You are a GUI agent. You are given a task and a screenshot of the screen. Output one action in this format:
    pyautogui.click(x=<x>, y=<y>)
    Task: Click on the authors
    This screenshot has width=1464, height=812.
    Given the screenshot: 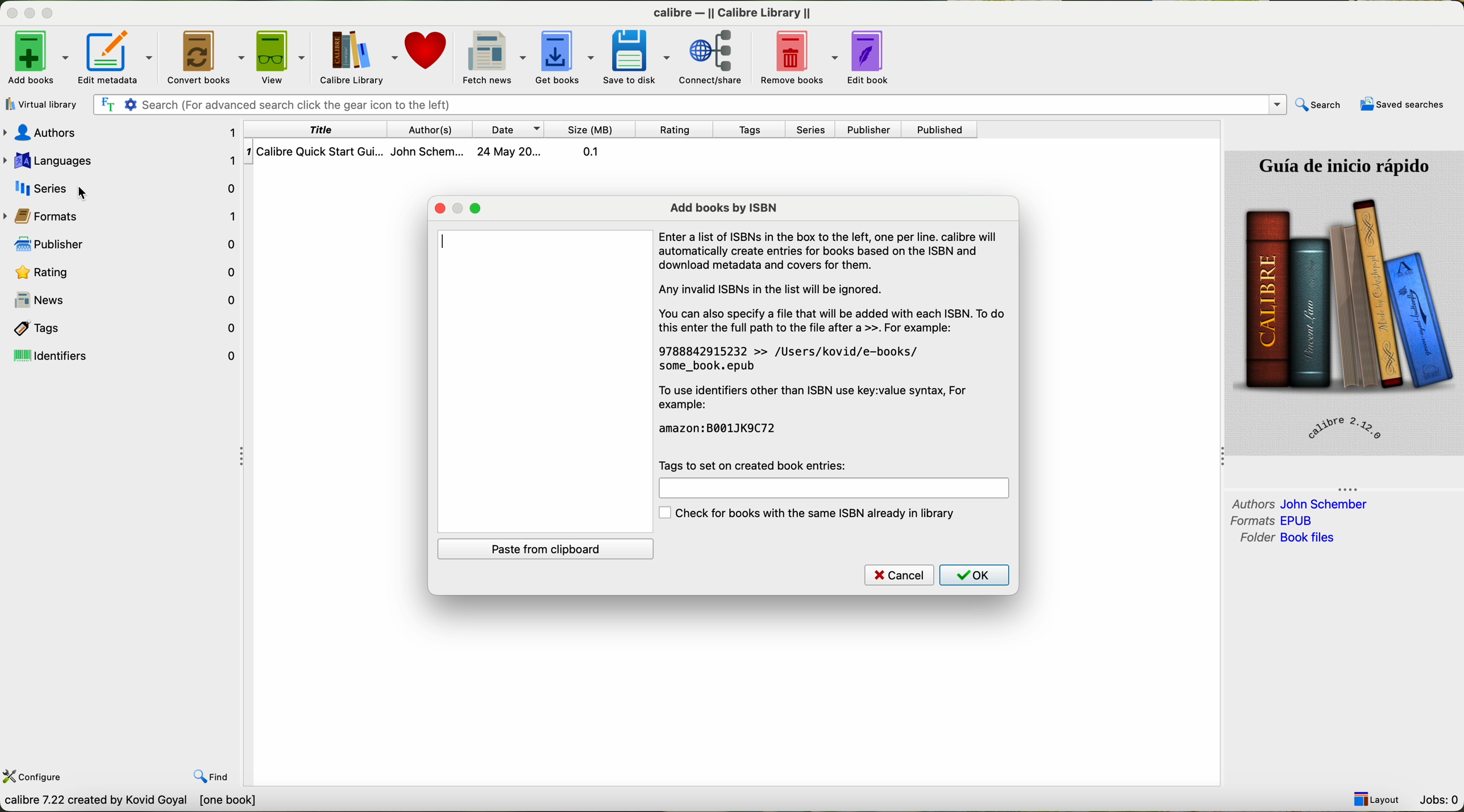 What is the action you would take?
    pyautogui.click(x=1299, y=503)
    